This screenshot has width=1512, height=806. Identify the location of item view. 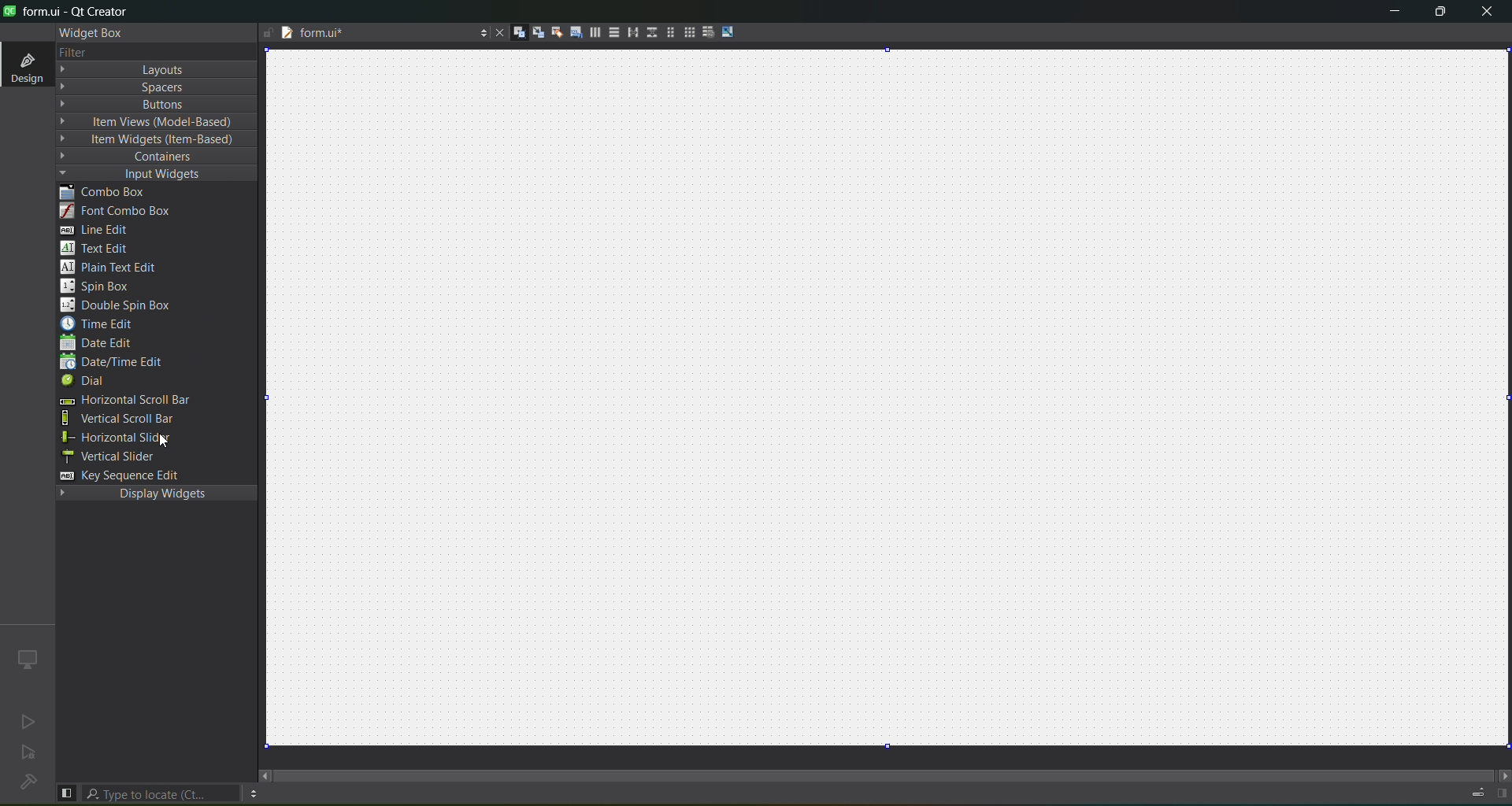
(150, 123).